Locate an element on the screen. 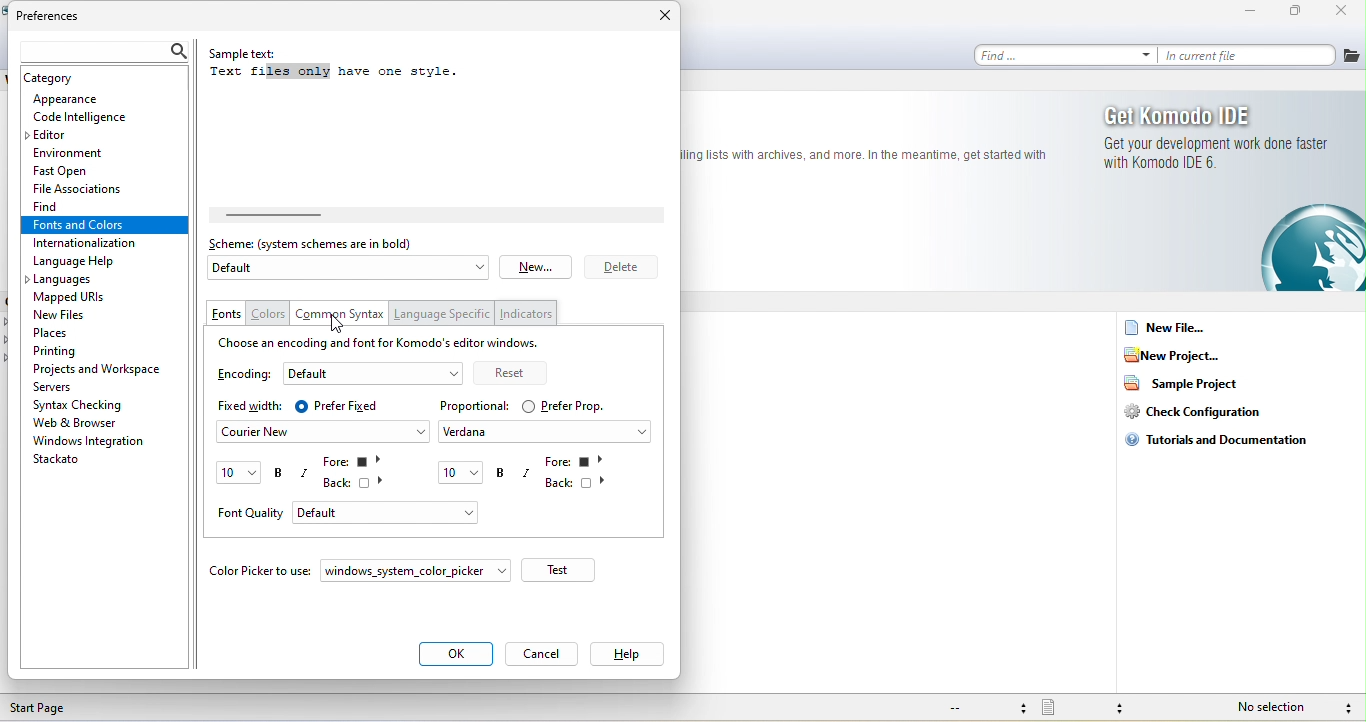  cursor movement is located at coordinates (339, 325).